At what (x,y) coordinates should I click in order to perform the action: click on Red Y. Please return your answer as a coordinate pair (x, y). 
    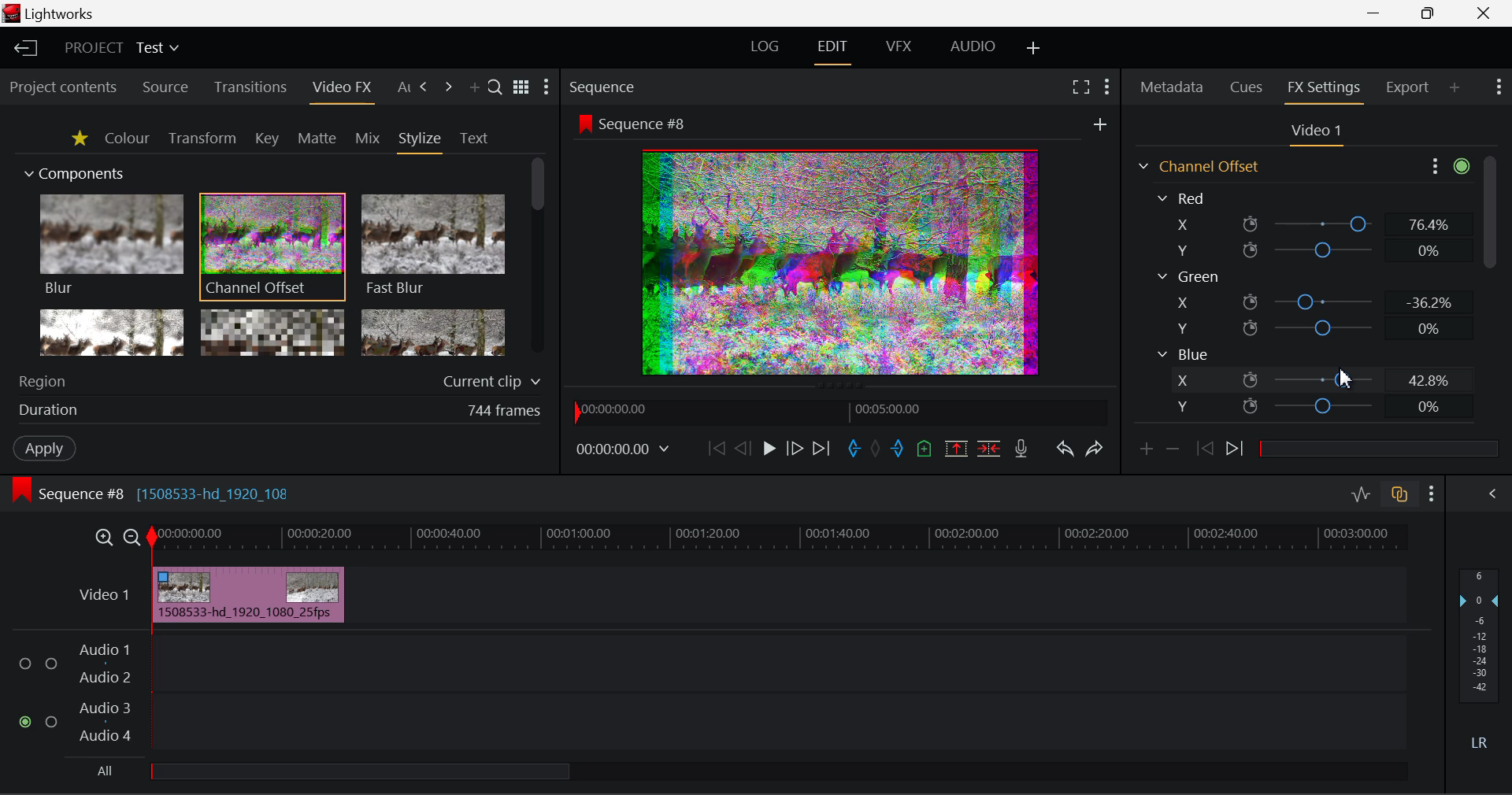
    Looking at the image, I should click on (1306, 250).